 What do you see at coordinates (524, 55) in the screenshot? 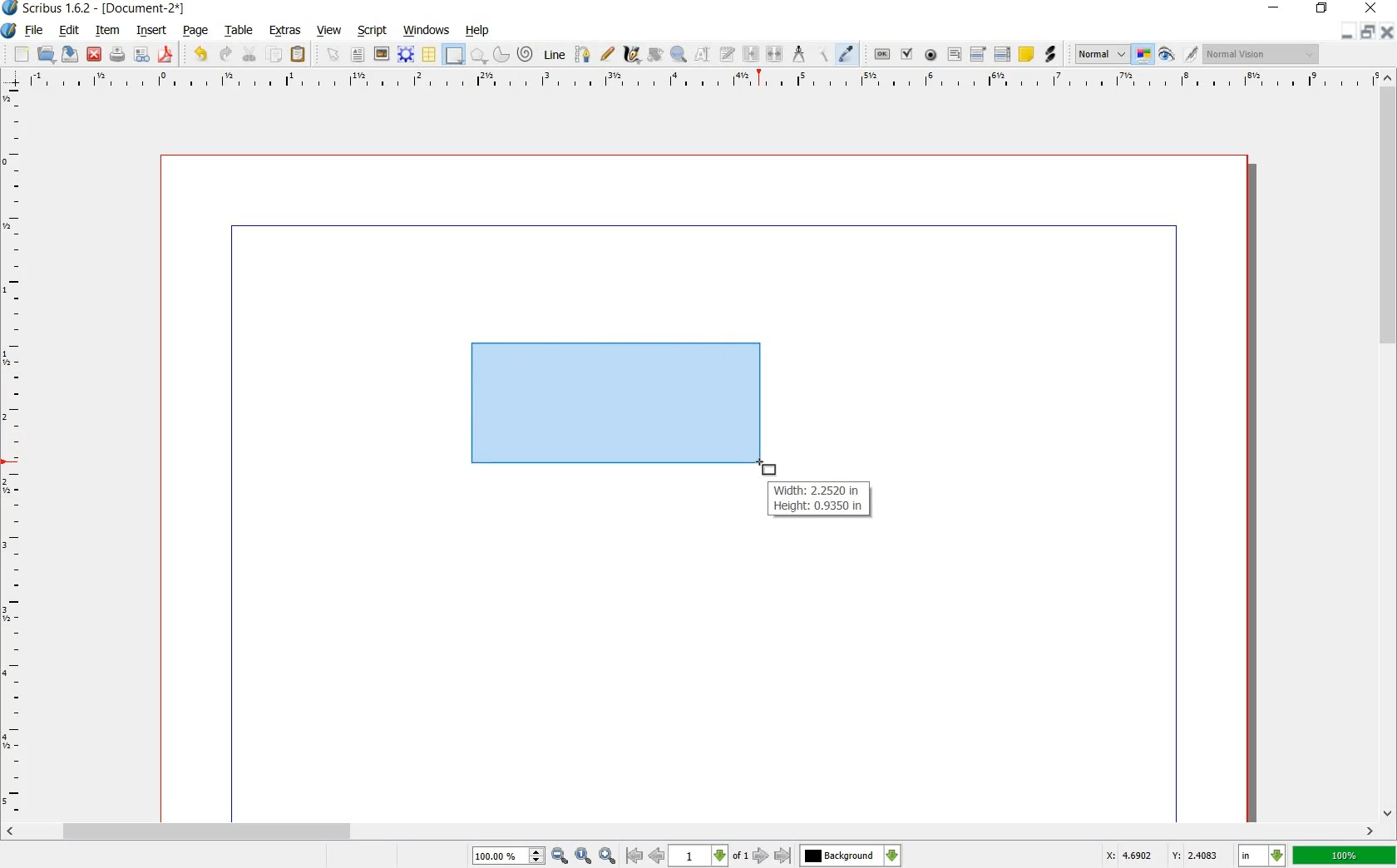
I see `SPIRAL` at bounding box center [524, 55].